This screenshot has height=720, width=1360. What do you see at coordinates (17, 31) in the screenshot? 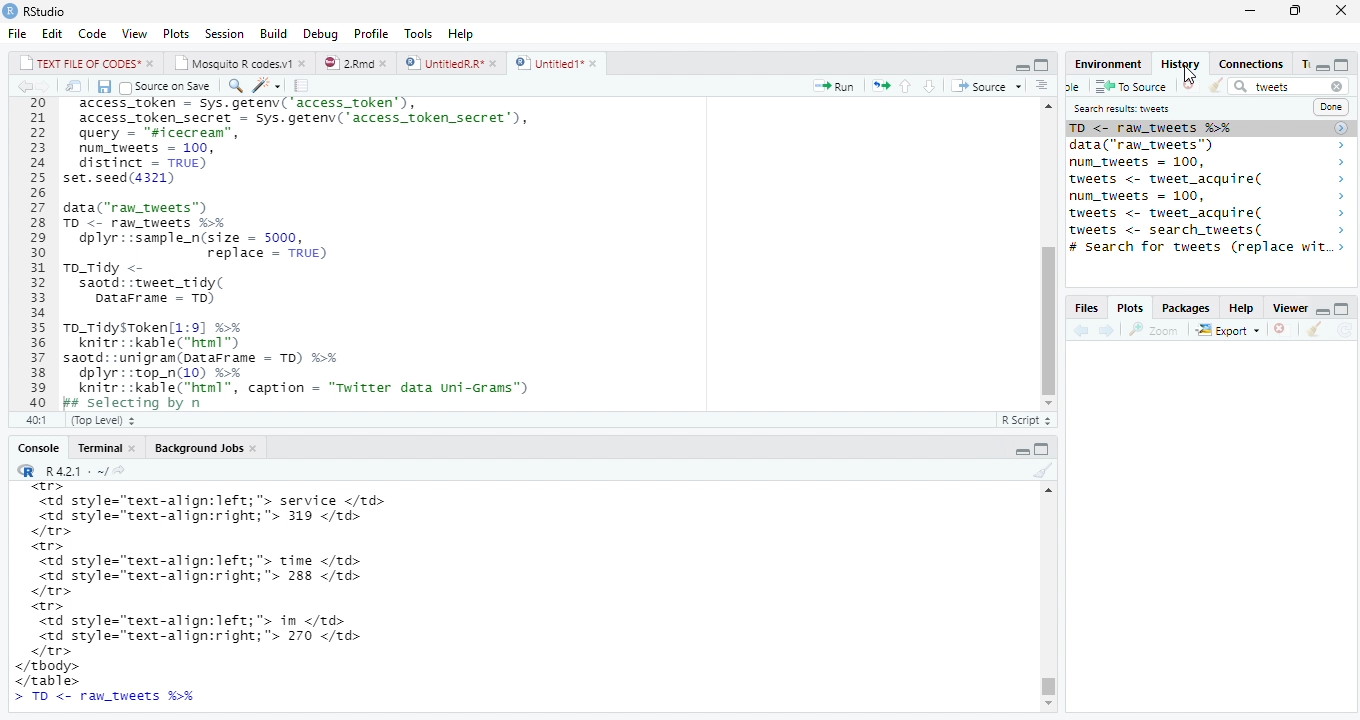
I see `File` at bounding box center [17, 31].